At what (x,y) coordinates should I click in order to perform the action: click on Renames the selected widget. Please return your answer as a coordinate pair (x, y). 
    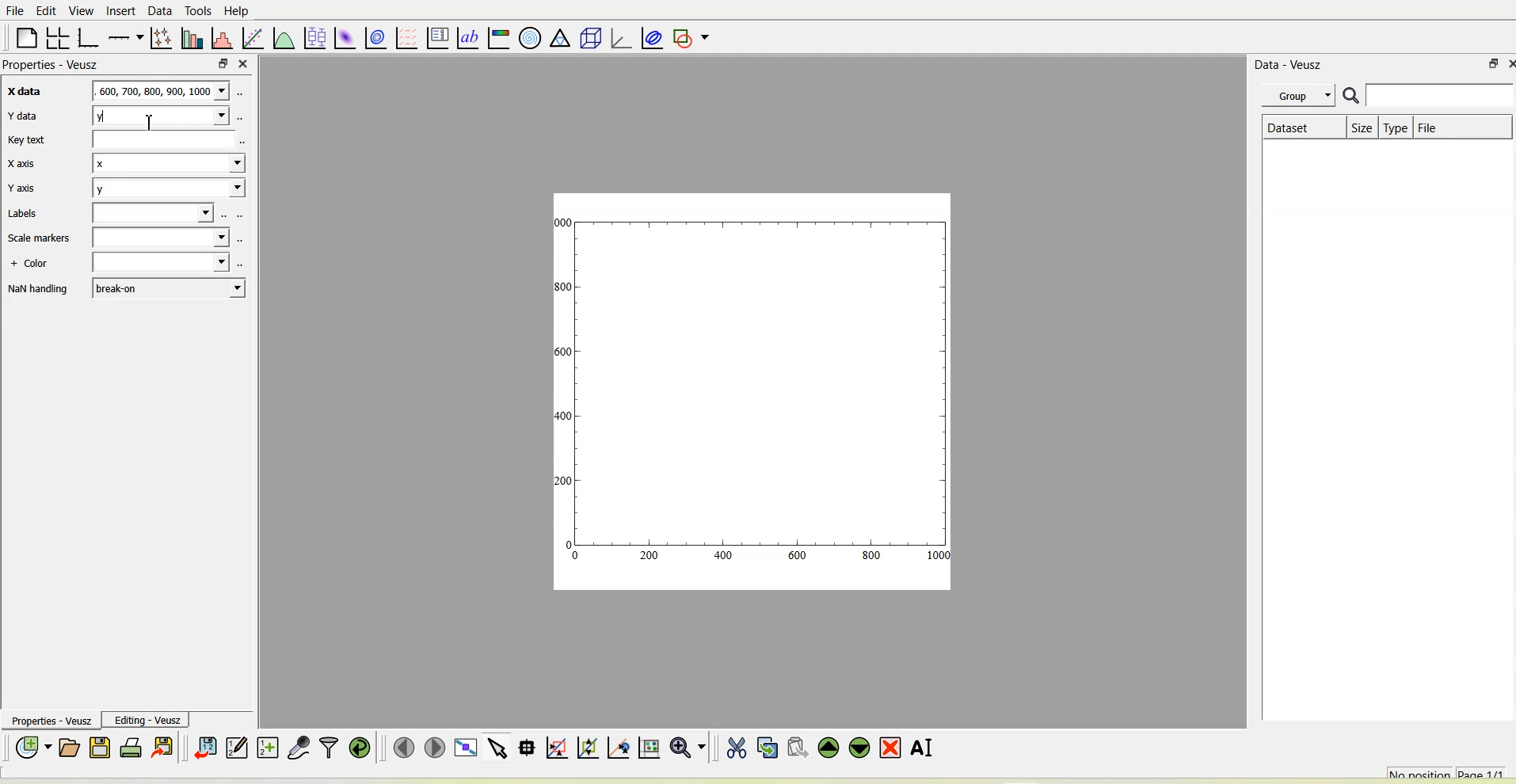
    Looking at the image, I should click on (921, 746).